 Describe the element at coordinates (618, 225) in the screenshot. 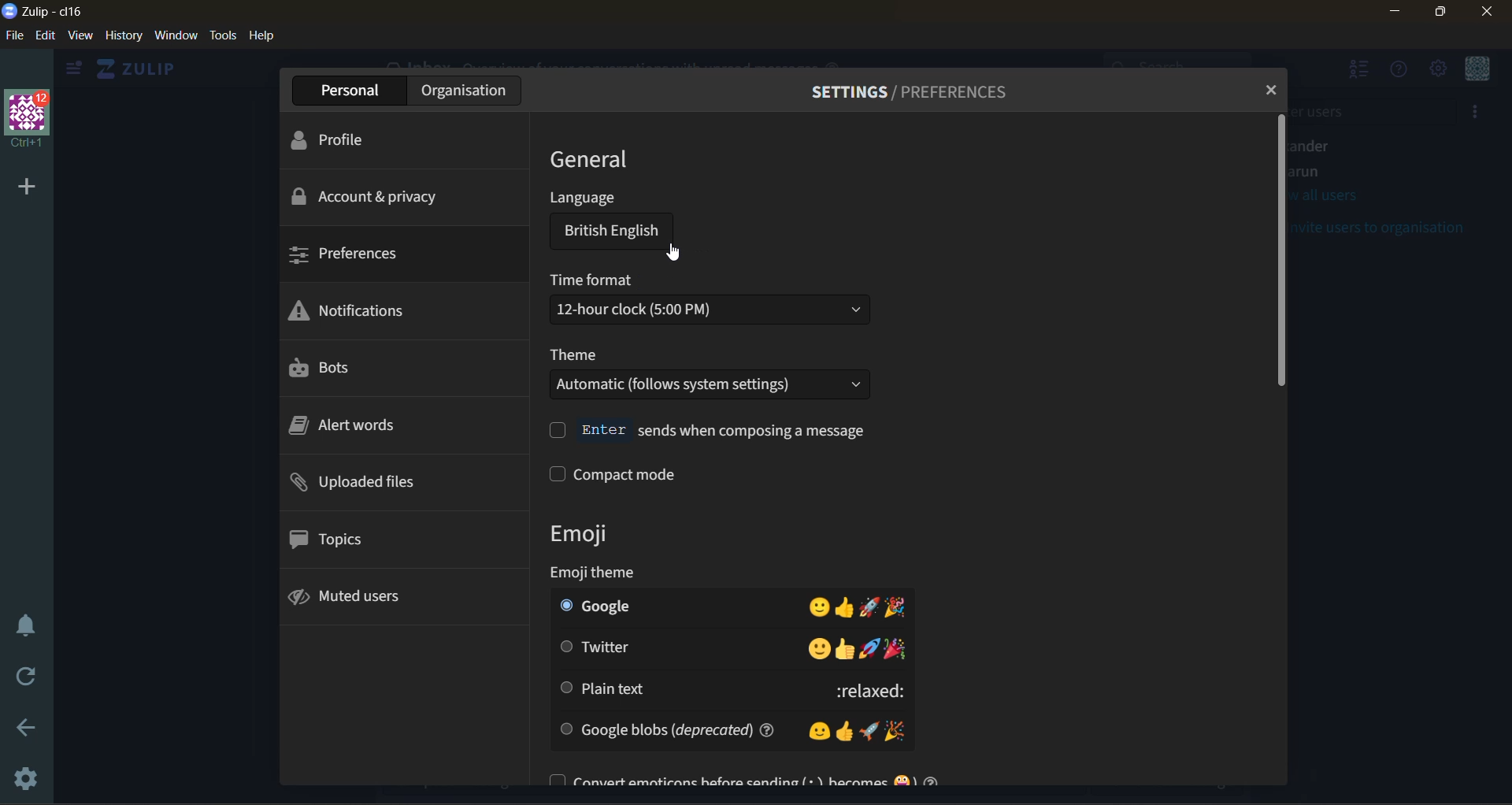

I see `language` at that location.